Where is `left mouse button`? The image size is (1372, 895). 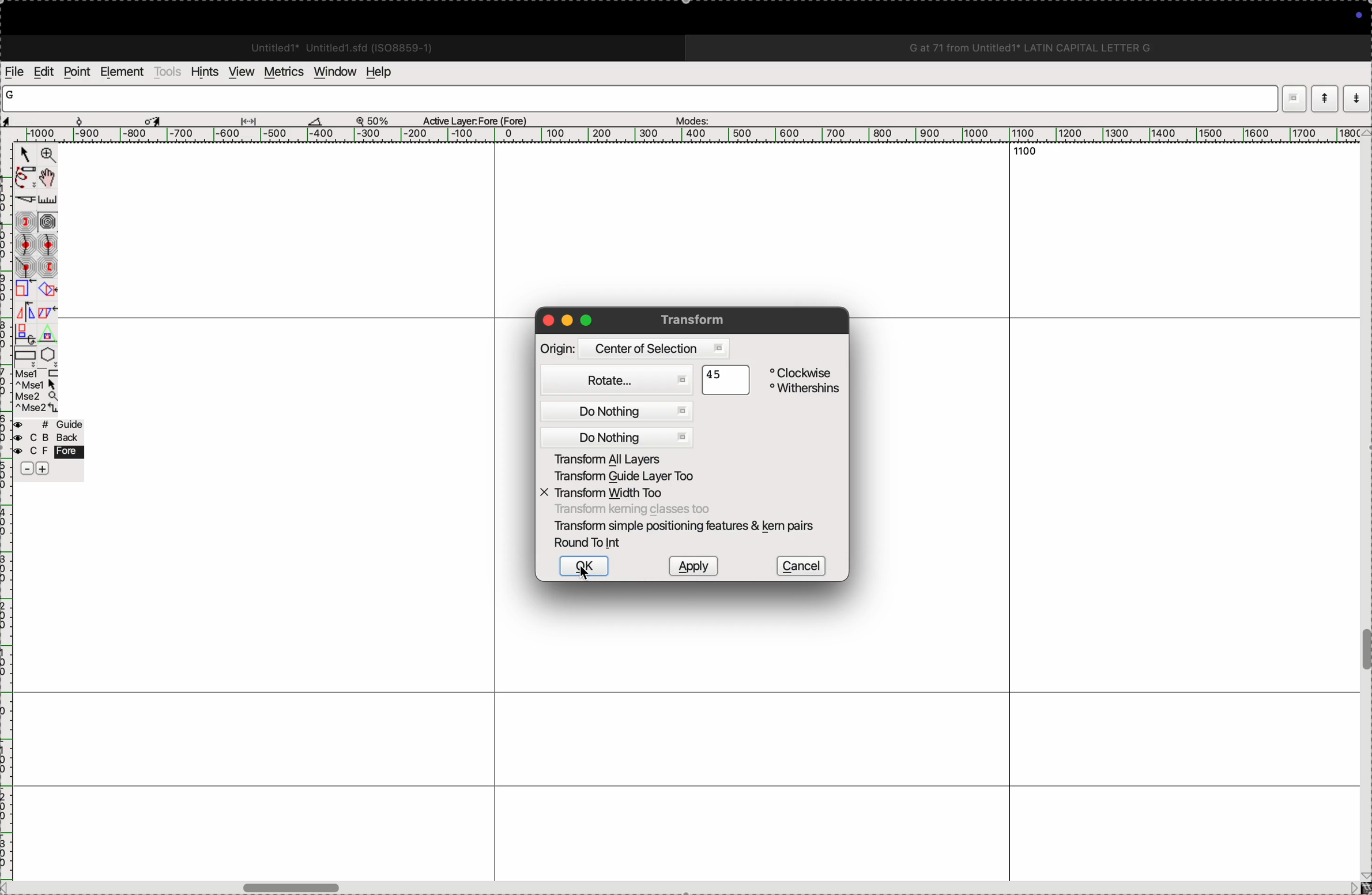
left mouse button is located at coordinates (37, 373).